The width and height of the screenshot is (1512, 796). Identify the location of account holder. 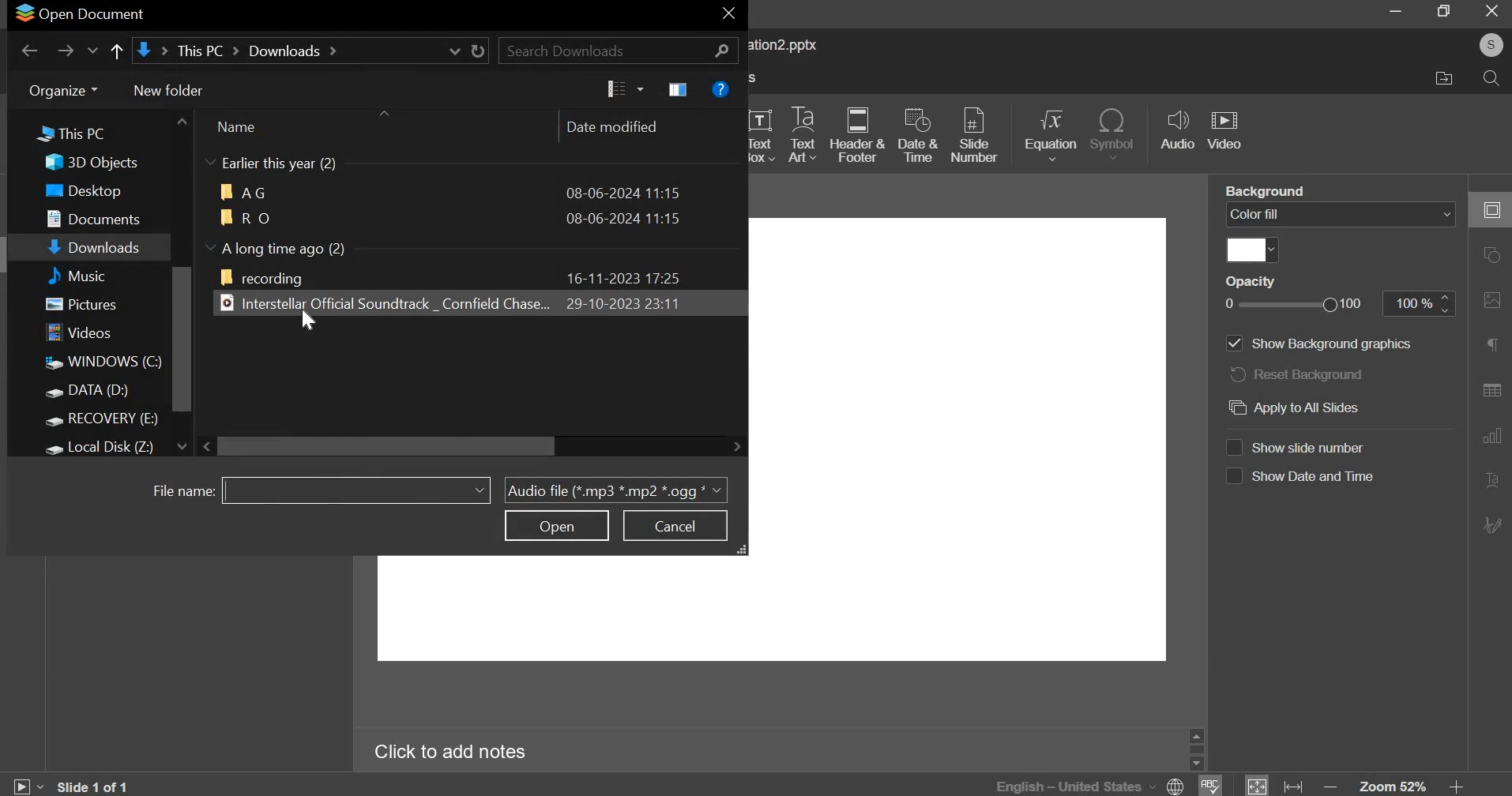
(1491, 45).